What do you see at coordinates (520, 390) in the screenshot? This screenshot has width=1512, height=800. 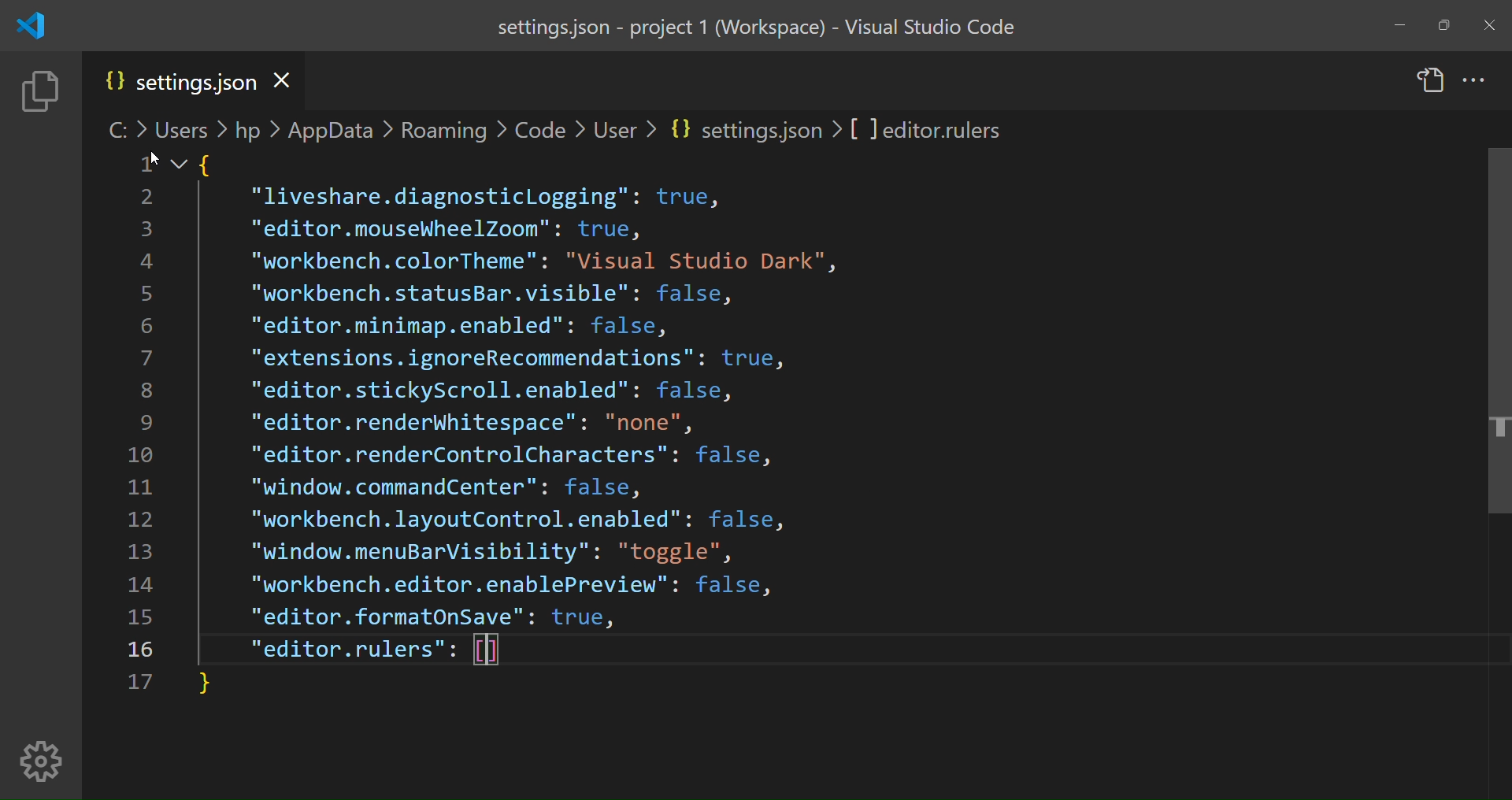 I see `code` at bounding box center [520, 390].